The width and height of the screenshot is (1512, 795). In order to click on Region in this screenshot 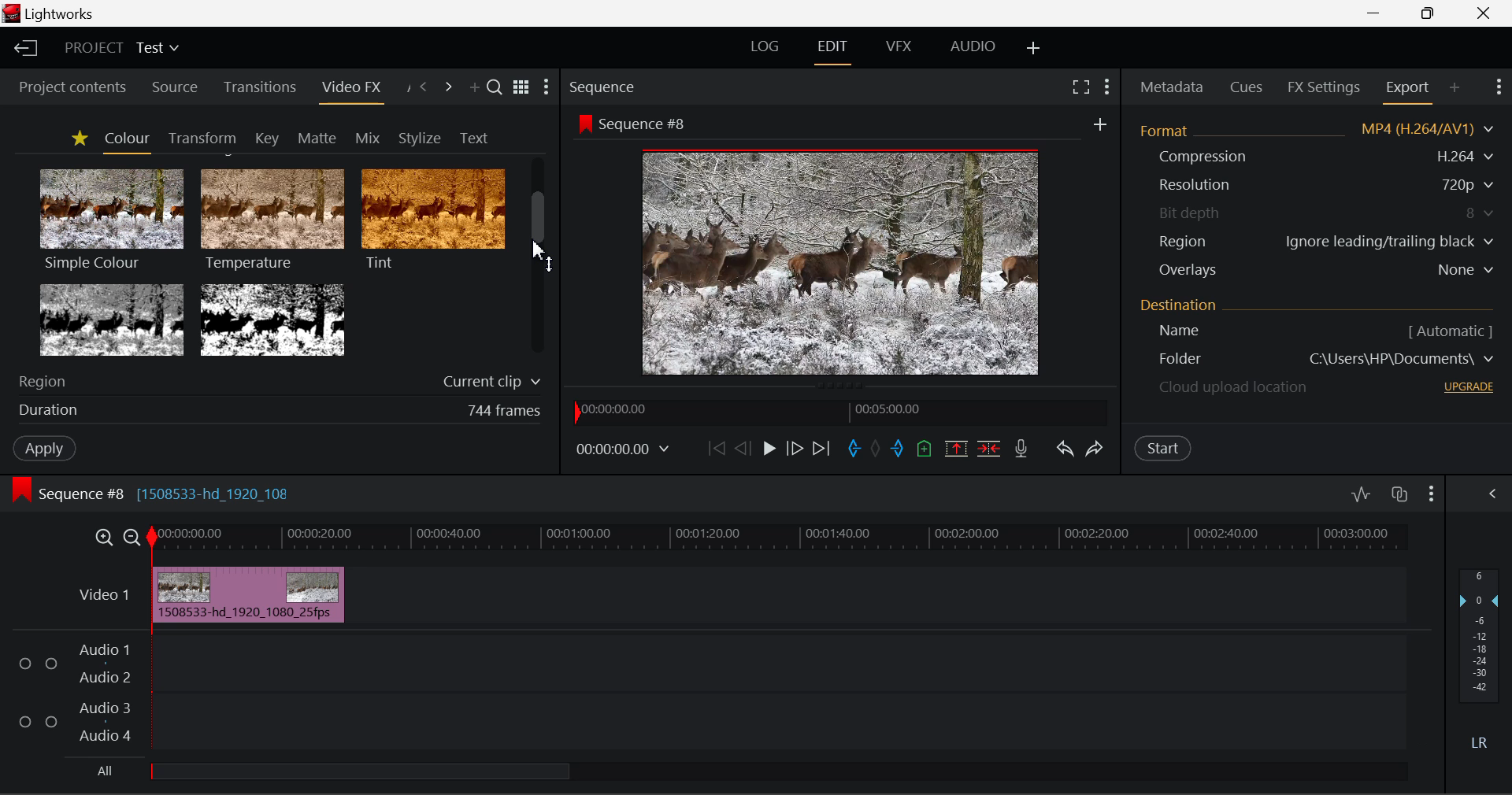, I will do `click(46, 380)`.